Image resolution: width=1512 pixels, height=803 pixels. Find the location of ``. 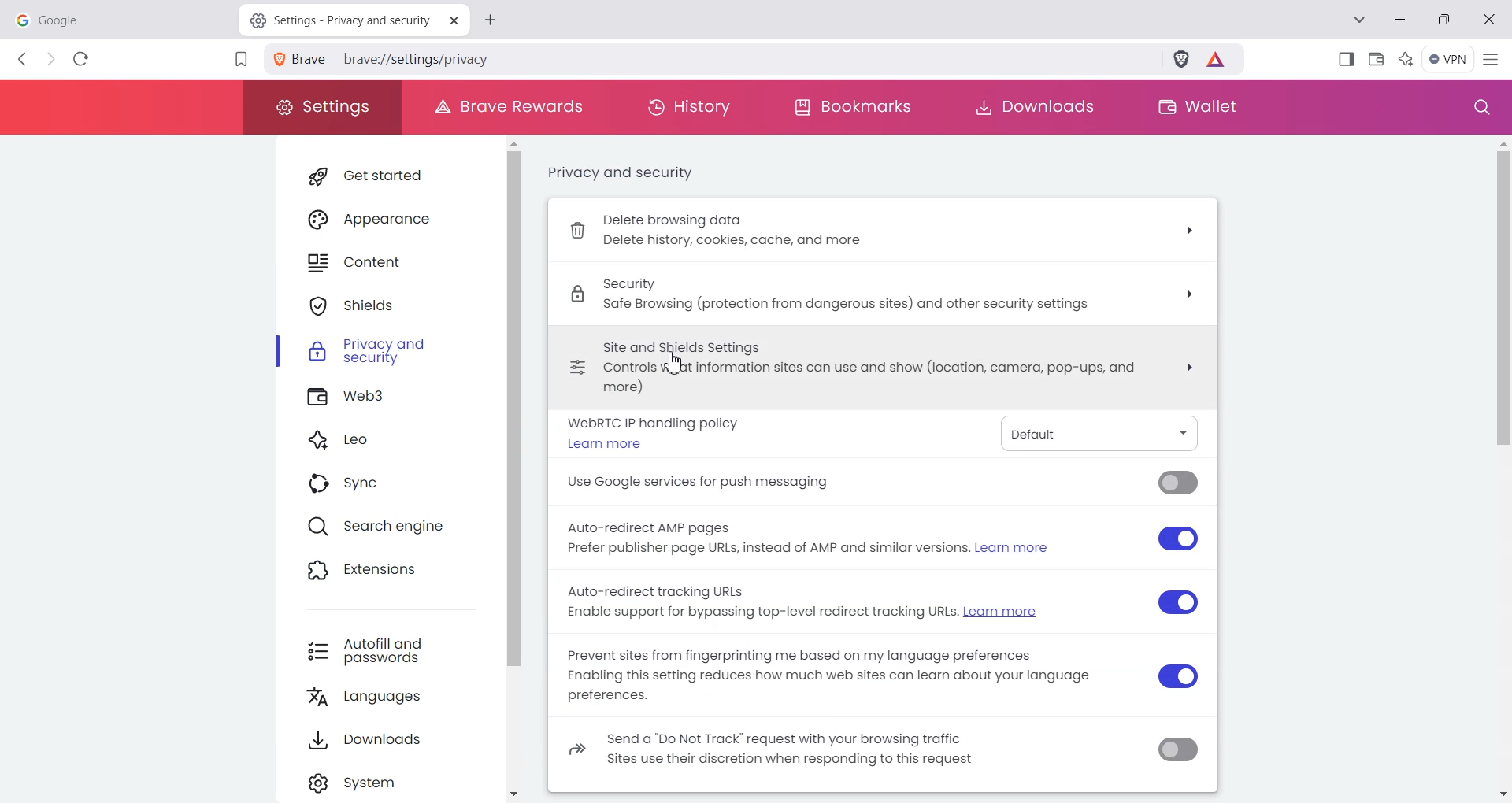

 is located at coordinates (1448, 59).